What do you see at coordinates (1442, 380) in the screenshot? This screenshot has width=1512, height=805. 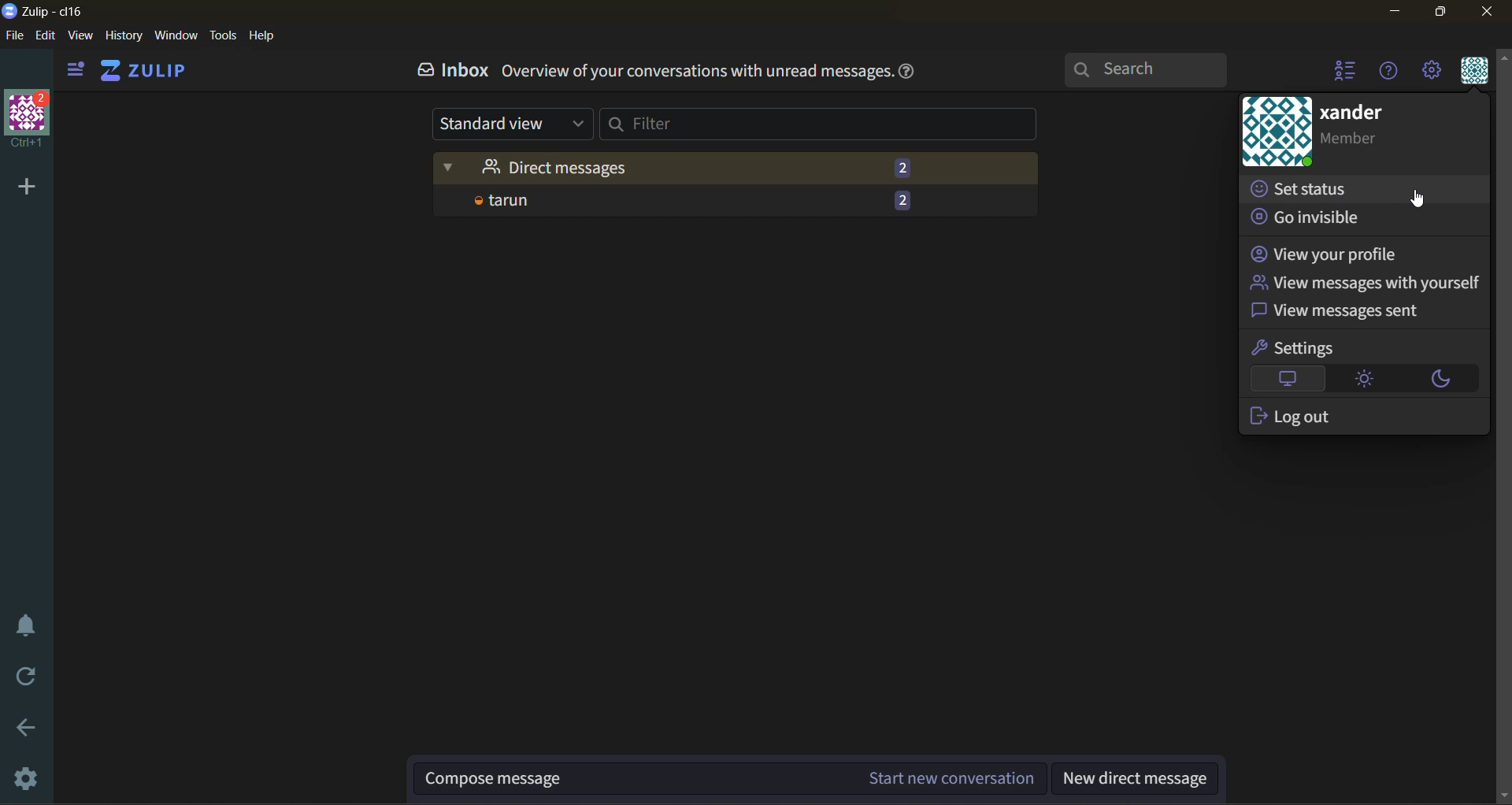 I see `dark theme` at bounding box center [1442, 380].